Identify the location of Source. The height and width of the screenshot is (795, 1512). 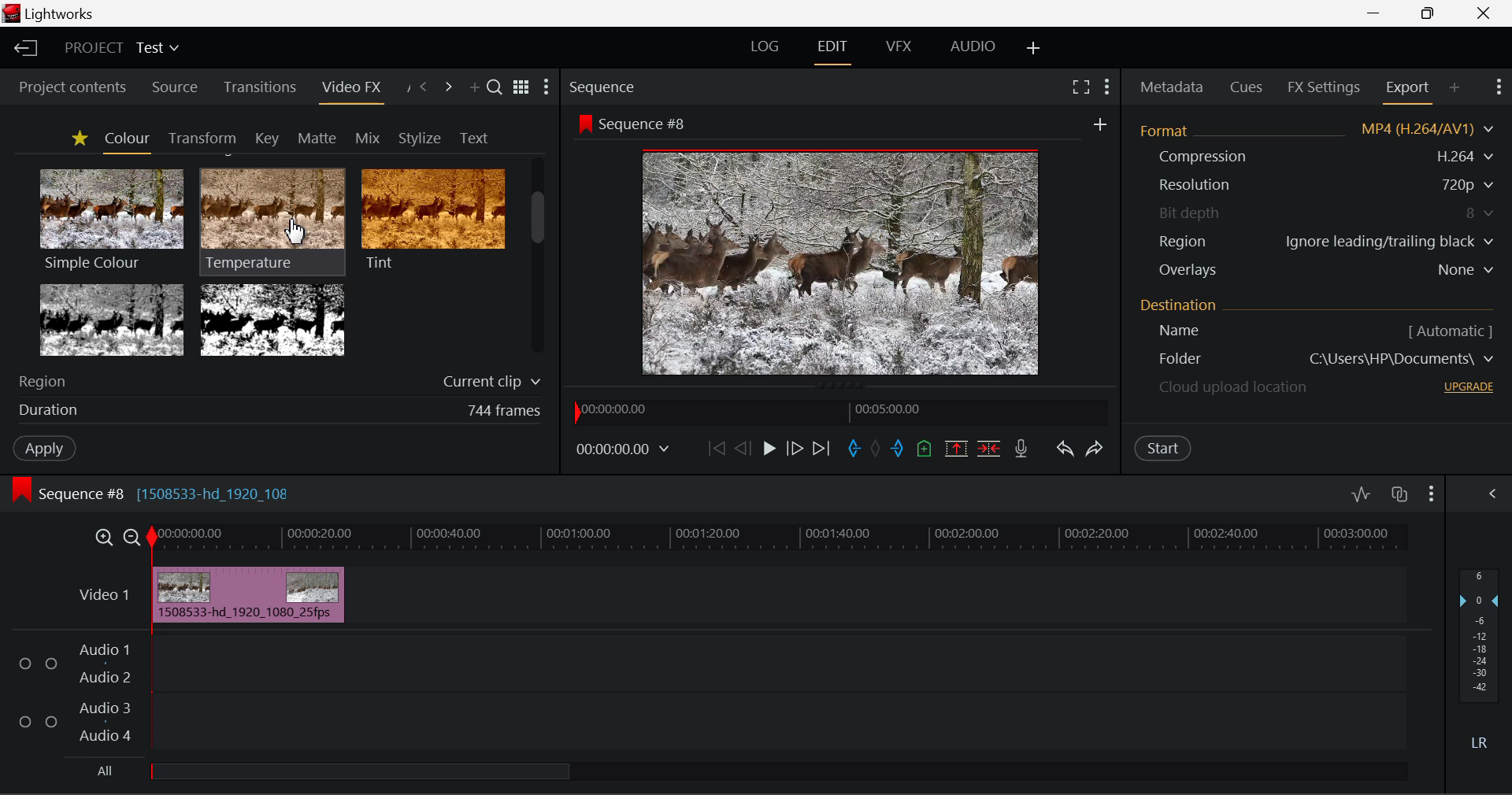
(176, 90).